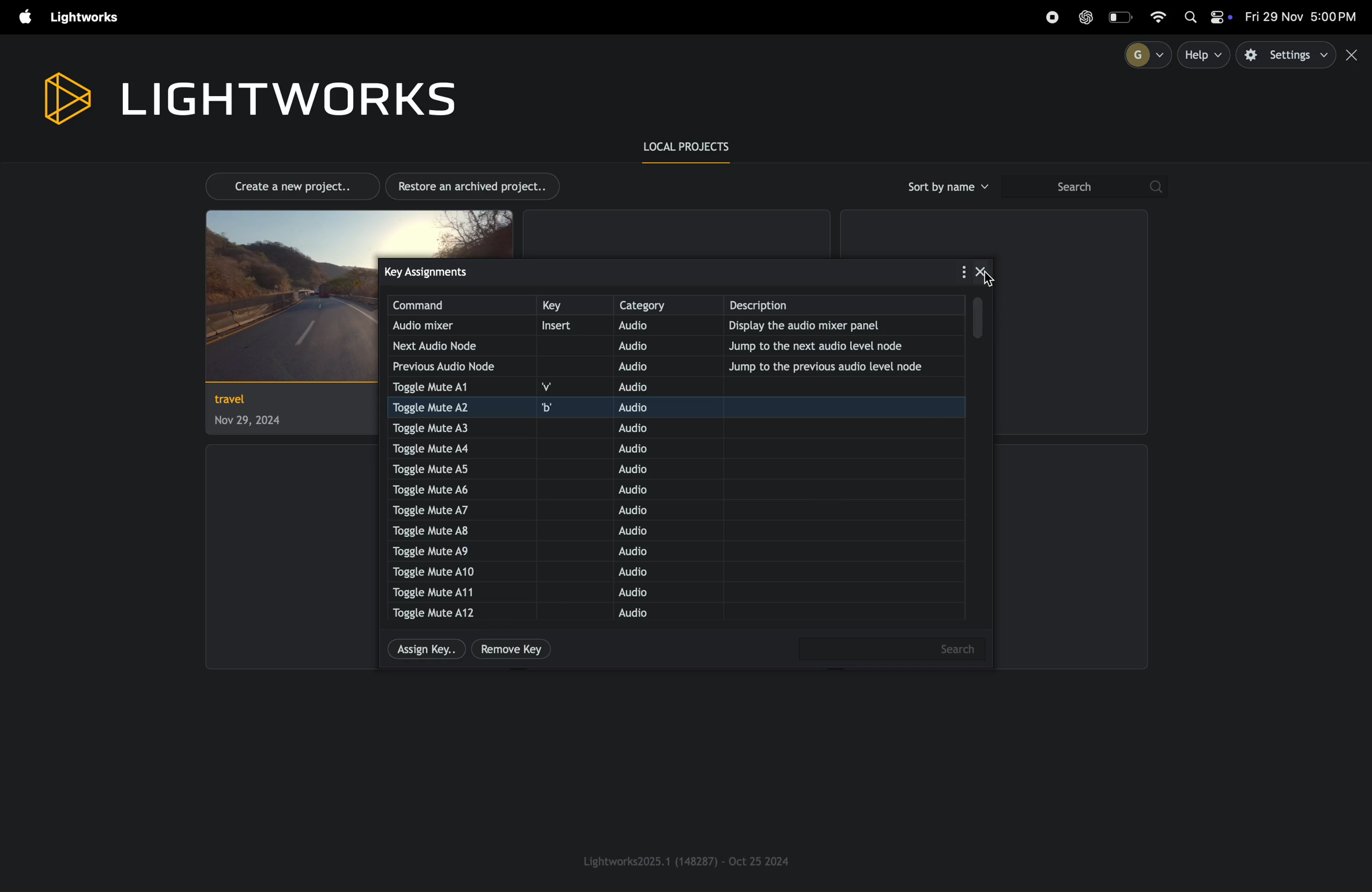  Describe the element at coordinates (250, 414) in the screenshot. I see `project travel` at that location.